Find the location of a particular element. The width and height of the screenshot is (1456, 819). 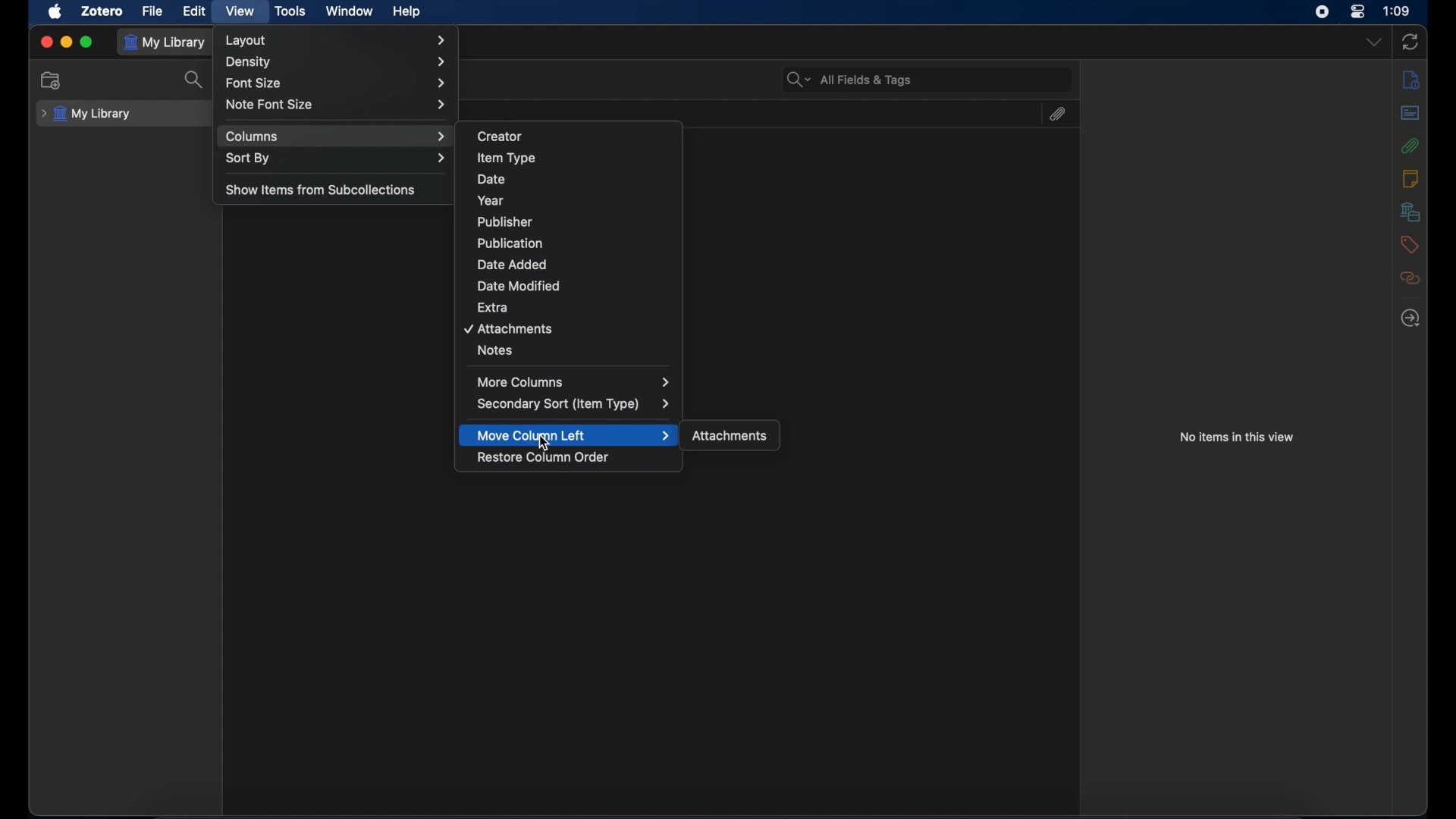

my library is located at coordinates (168, 42).